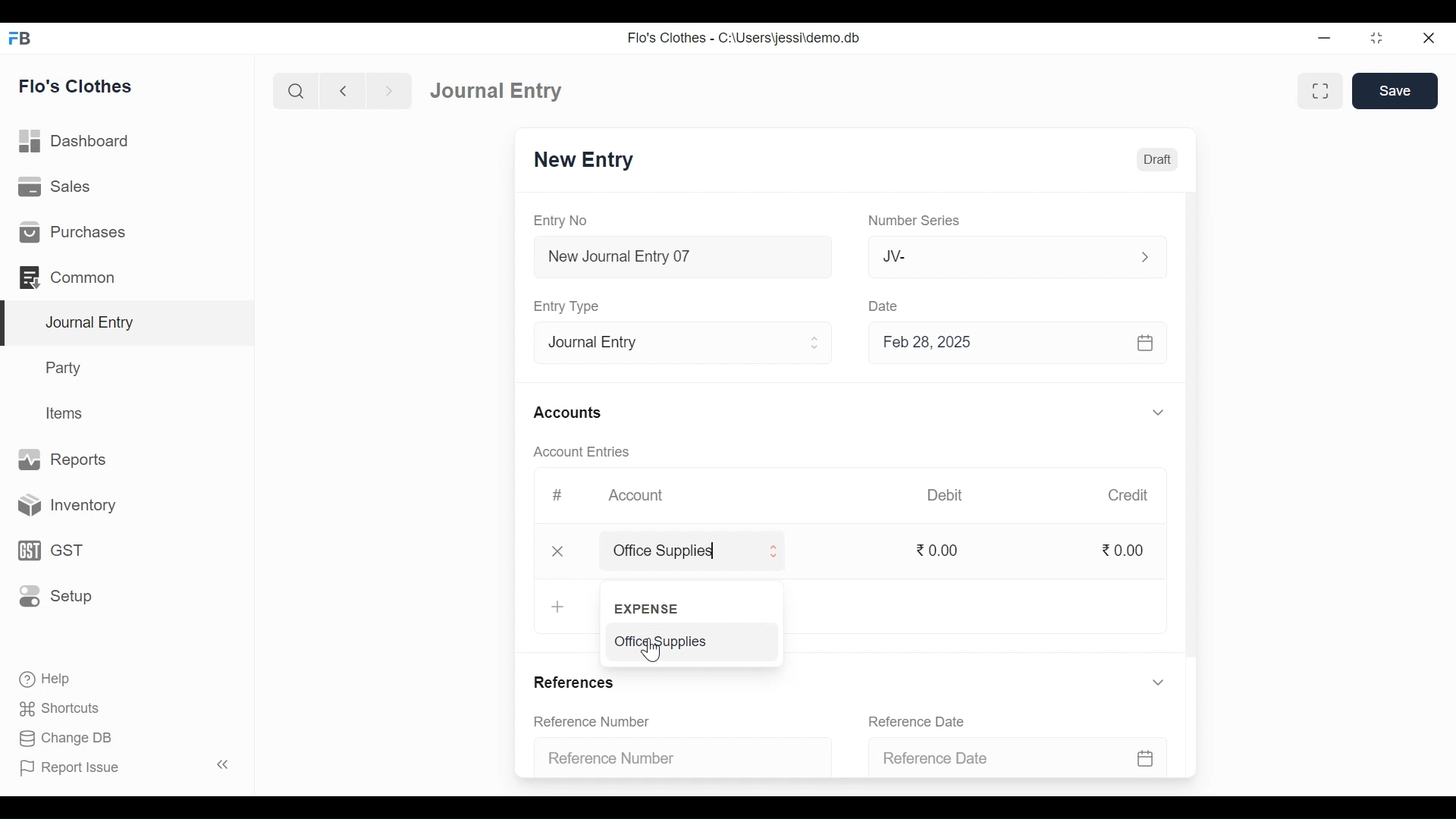 This screenshot has width=1456, height=819. I want to click on Expand, so click(773, 554).